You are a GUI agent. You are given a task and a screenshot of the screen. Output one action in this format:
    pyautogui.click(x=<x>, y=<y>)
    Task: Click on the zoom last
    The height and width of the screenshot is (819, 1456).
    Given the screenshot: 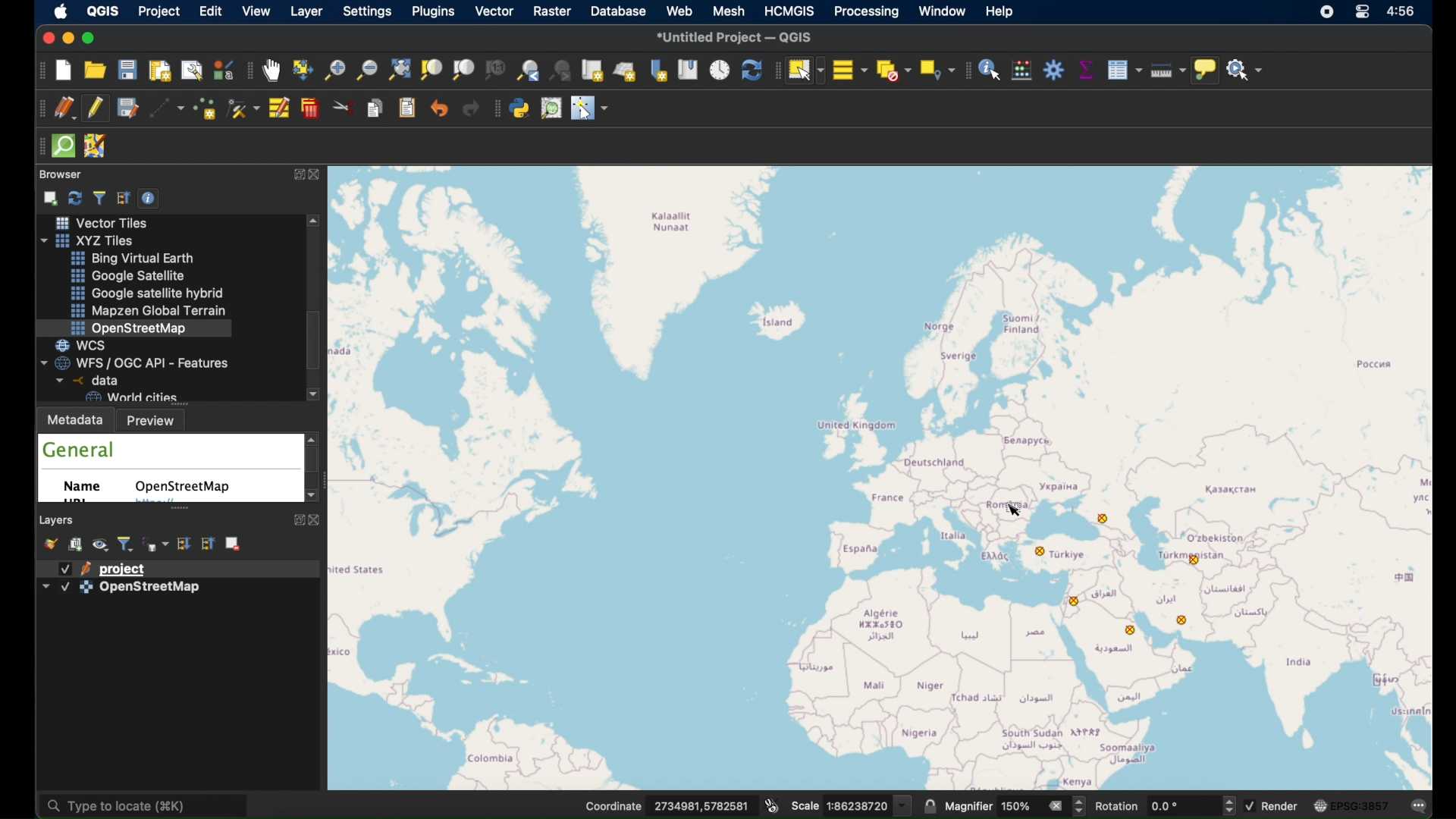 What is the action you would take?
    pyautogui.click(x=525, y=70)
    